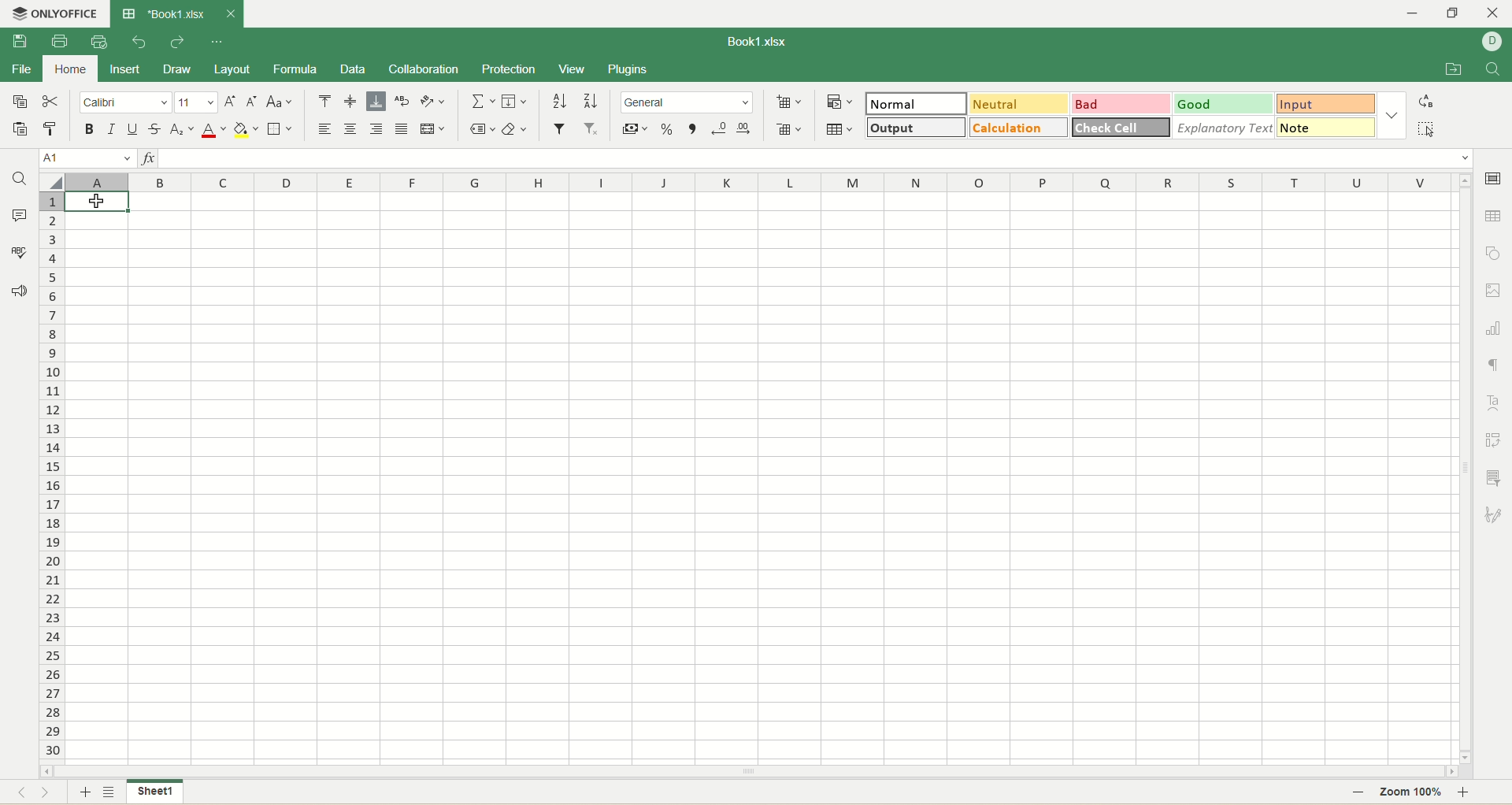 This screenshot has height=805, width=1512. What do you see at coordinates (53, 794) in the screenshot?
I see `next` at bounding box center [53, 794].